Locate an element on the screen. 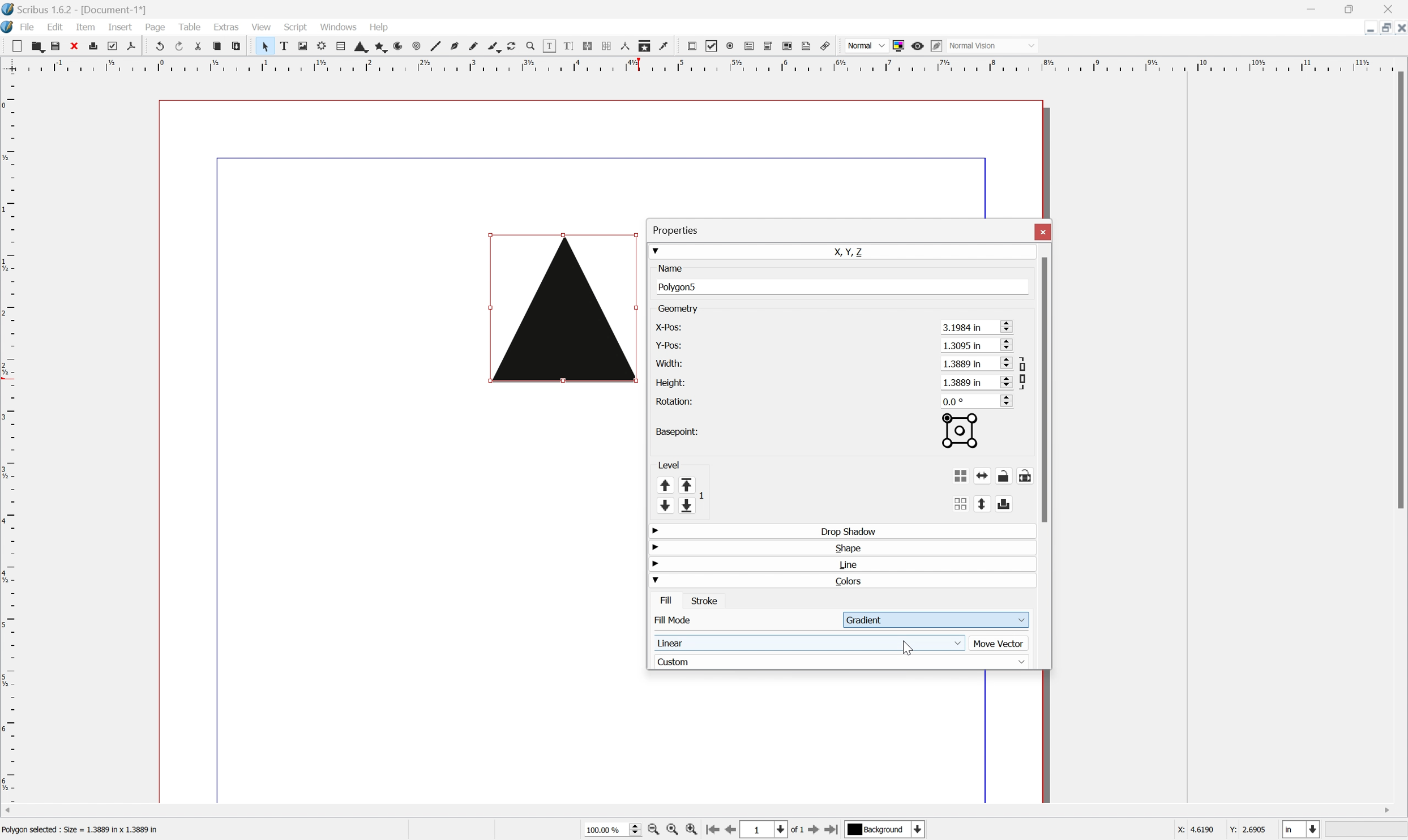 This screenshot has width=1408, height=840. Text is located at coordinates (86, 829).